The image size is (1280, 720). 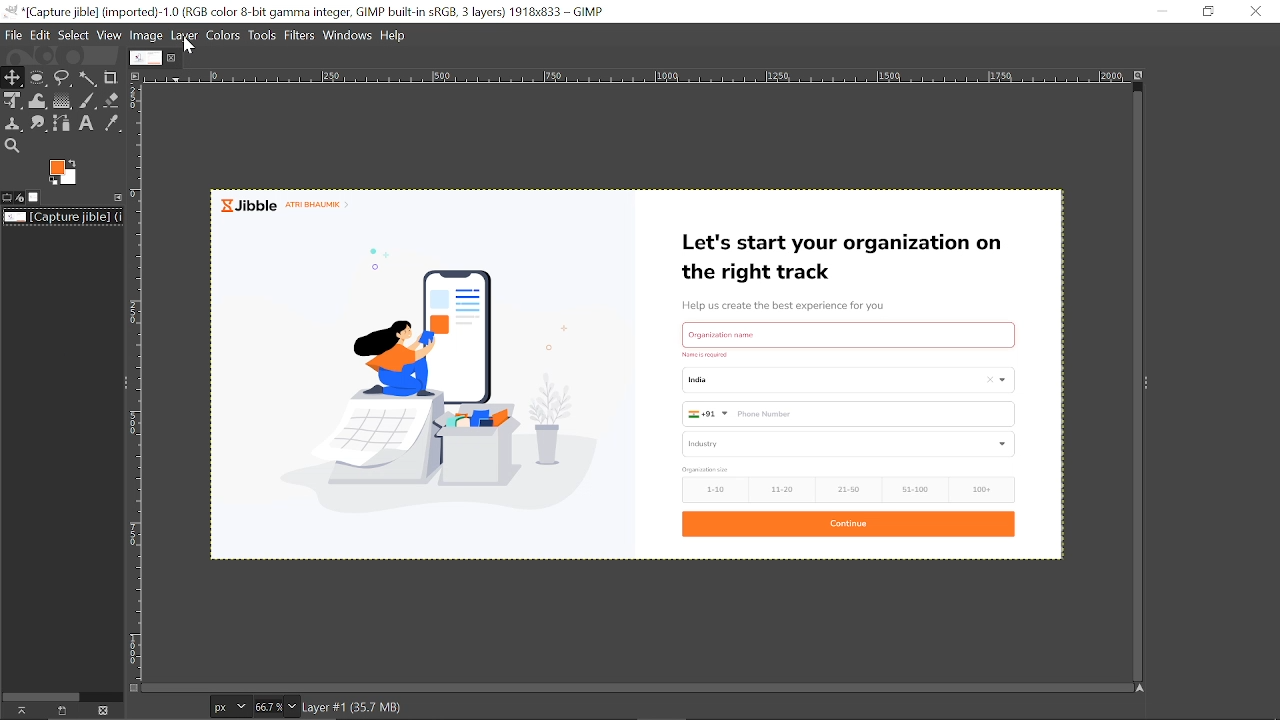 What do you see at coordinates (229, 707) in the screenshot?
I see `Units of the current image` at bounding box center [229, 707].